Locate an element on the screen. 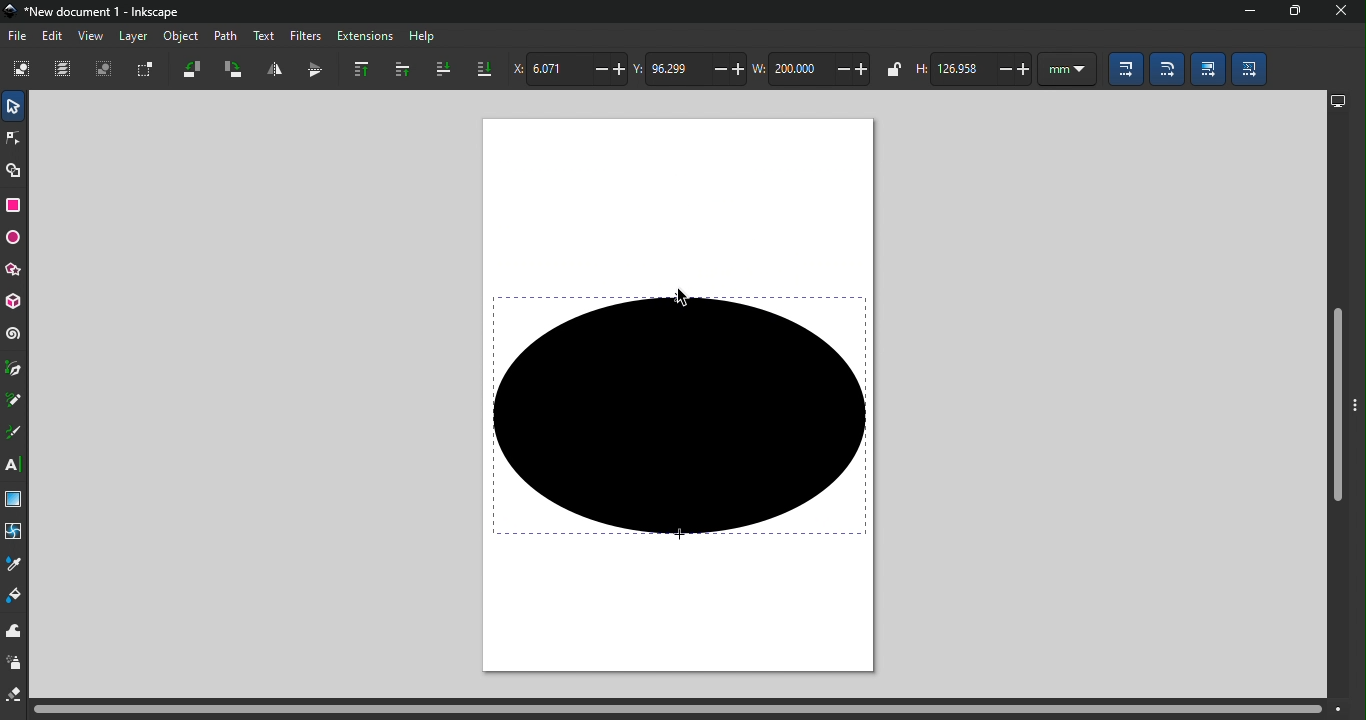 The width and height of the screenshot is (1366, 720). Pen tool is located at coordinates (18, 368).